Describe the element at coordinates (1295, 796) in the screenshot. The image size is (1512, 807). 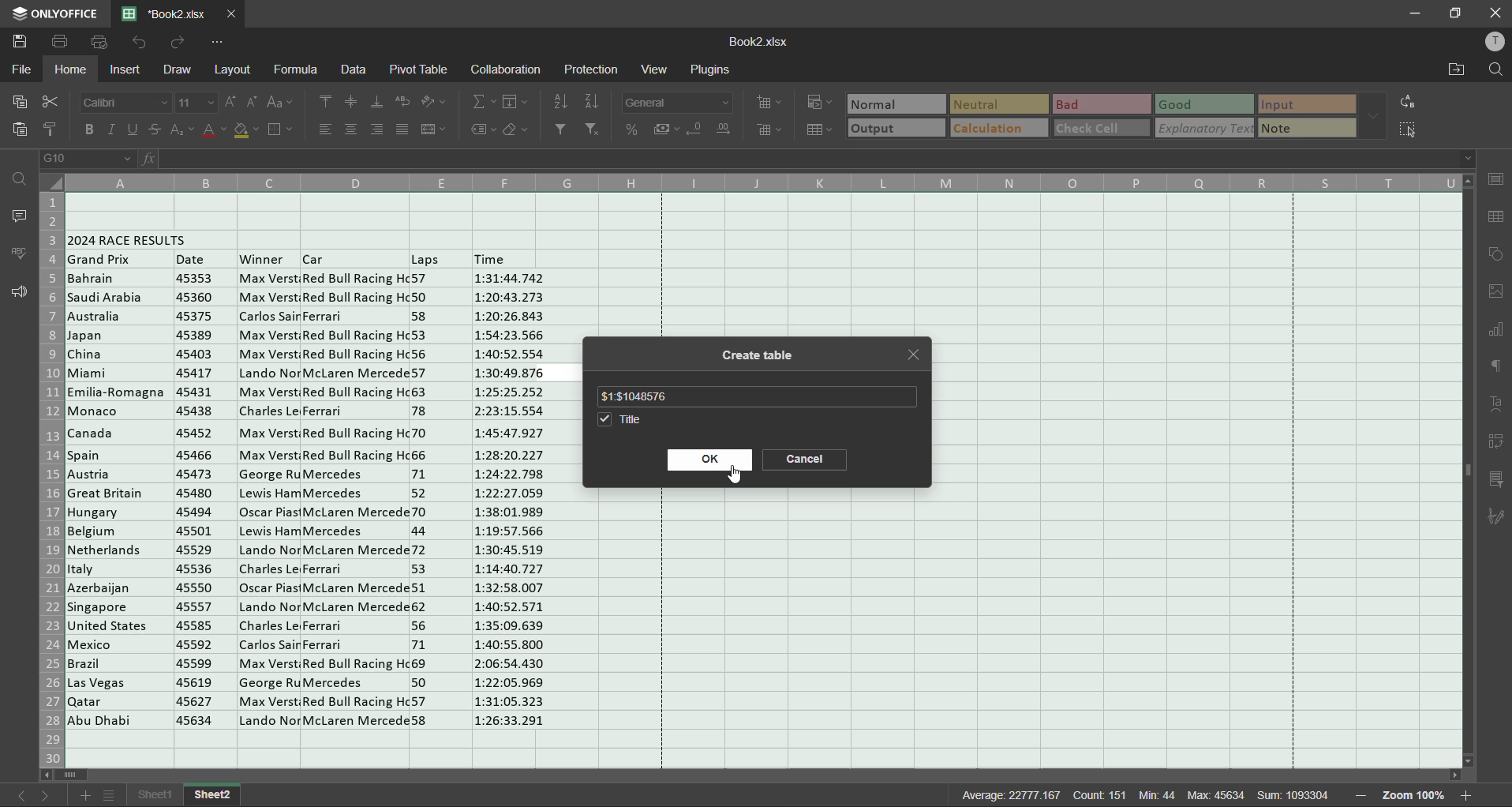
I see `sum` at that location.